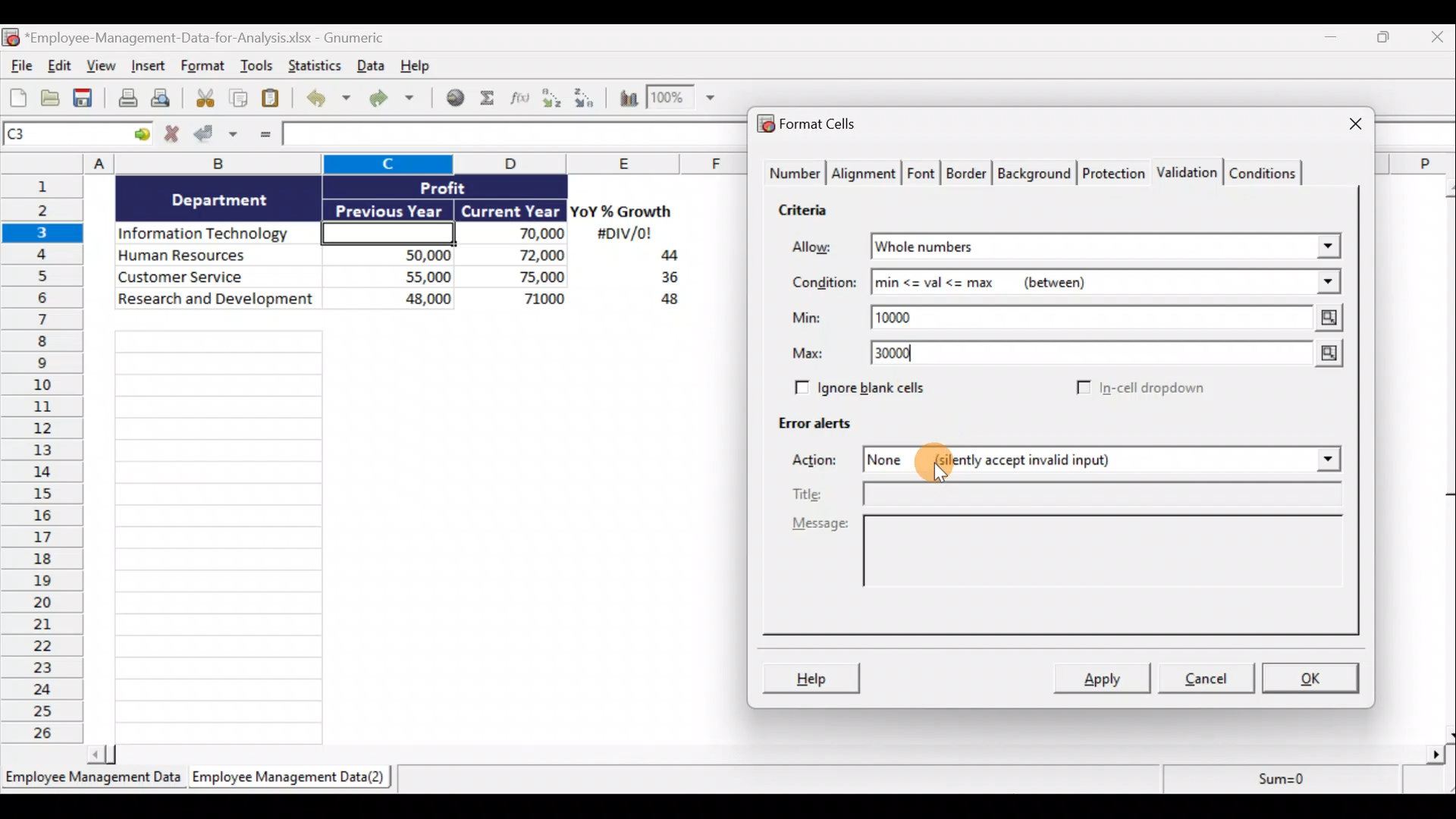  I want to click on Redo undone action, so click(398, 99).